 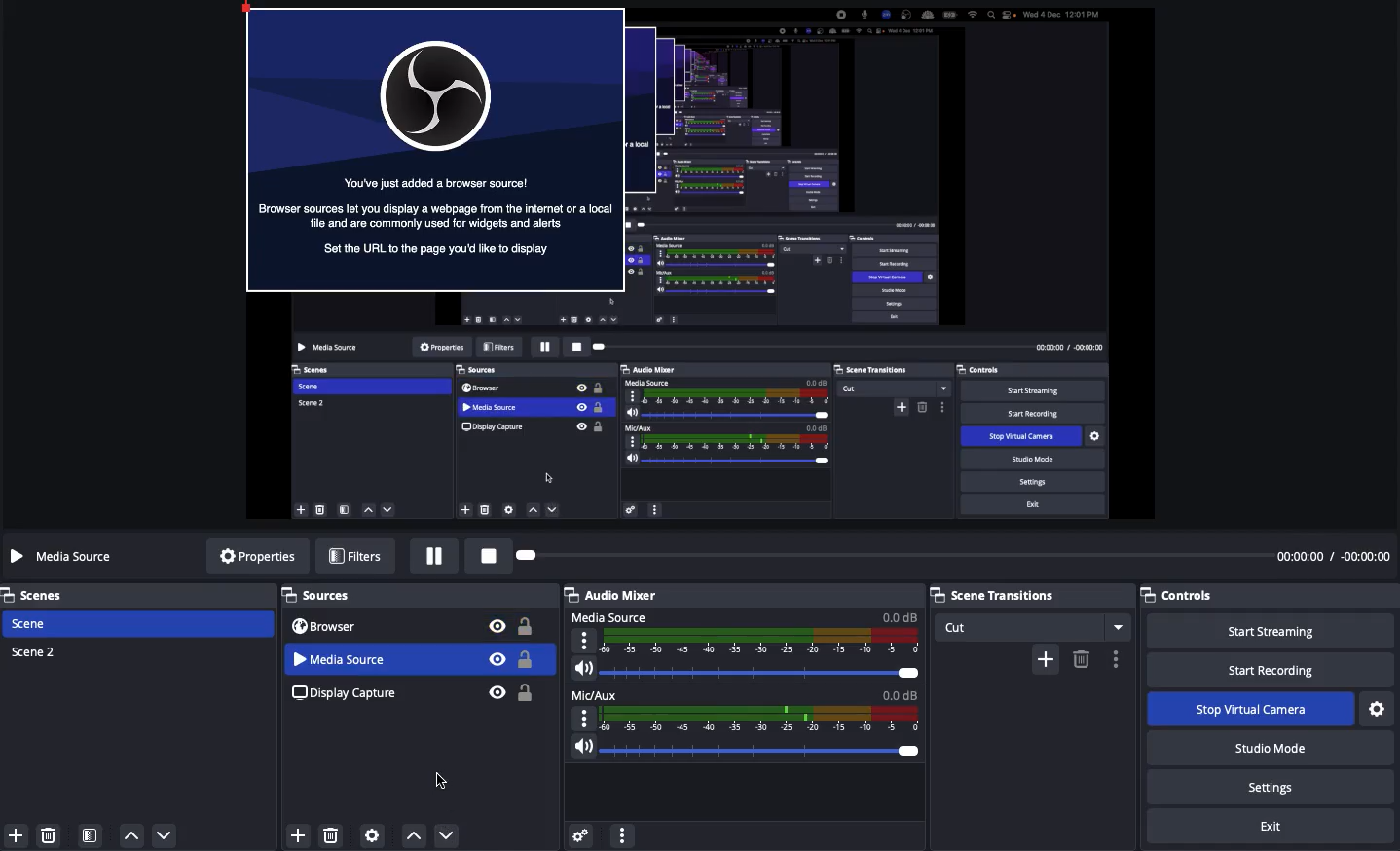 I want to click on Exit, so click(x=1276, y=827).